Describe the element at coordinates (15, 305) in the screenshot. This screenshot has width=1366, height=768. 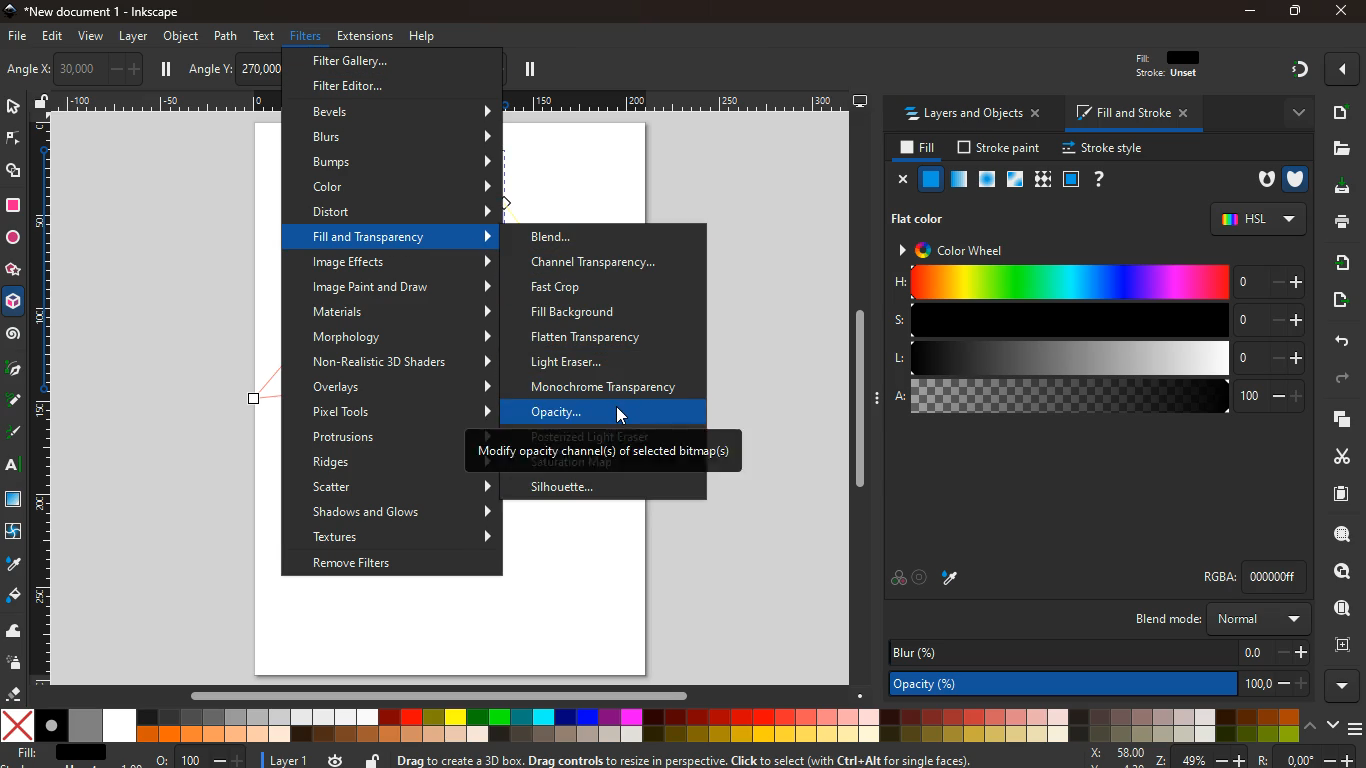
I see `3d tool` at that location.